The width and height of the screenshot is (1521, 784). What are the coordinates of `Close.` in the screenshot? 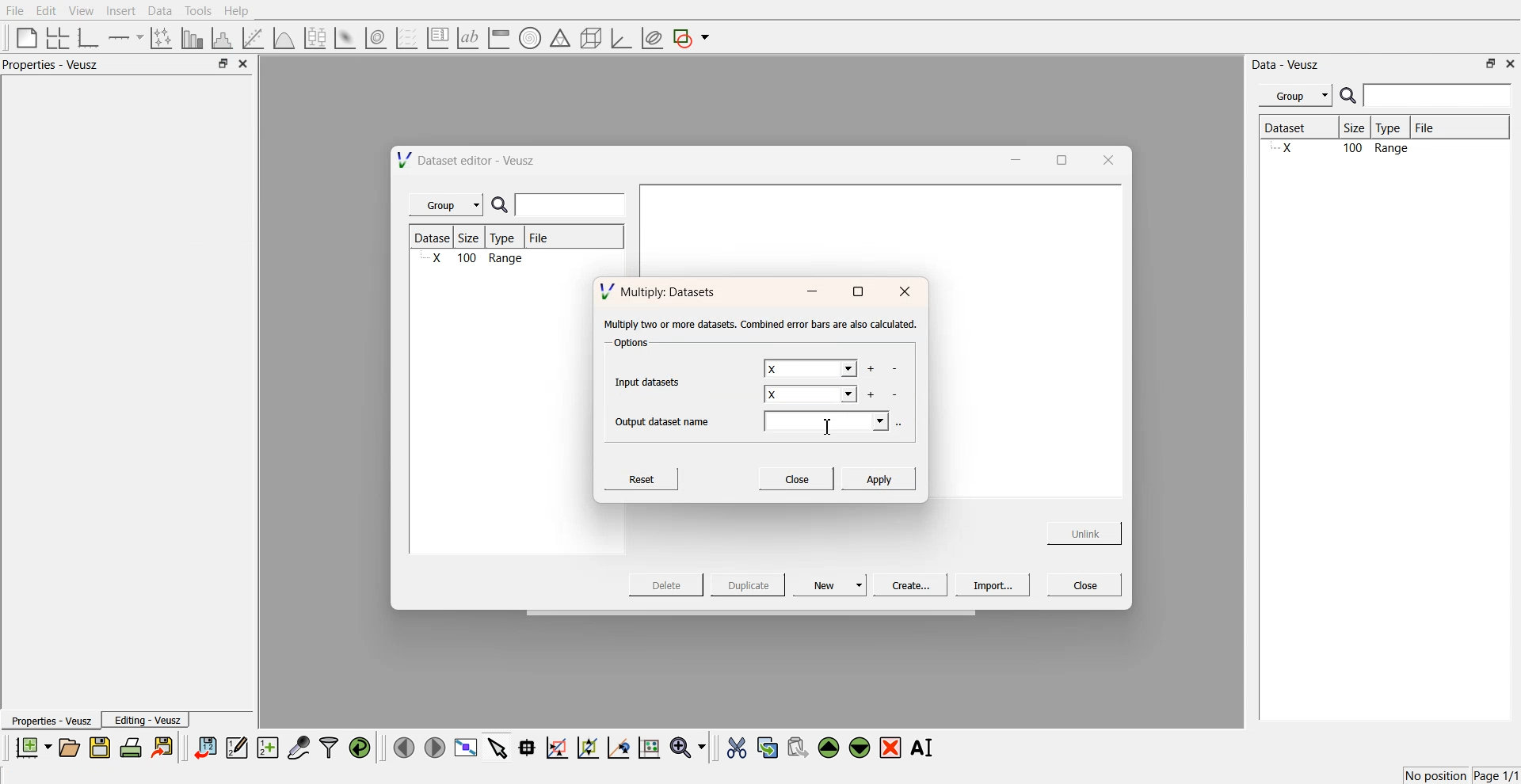 It's located at (795, 478).